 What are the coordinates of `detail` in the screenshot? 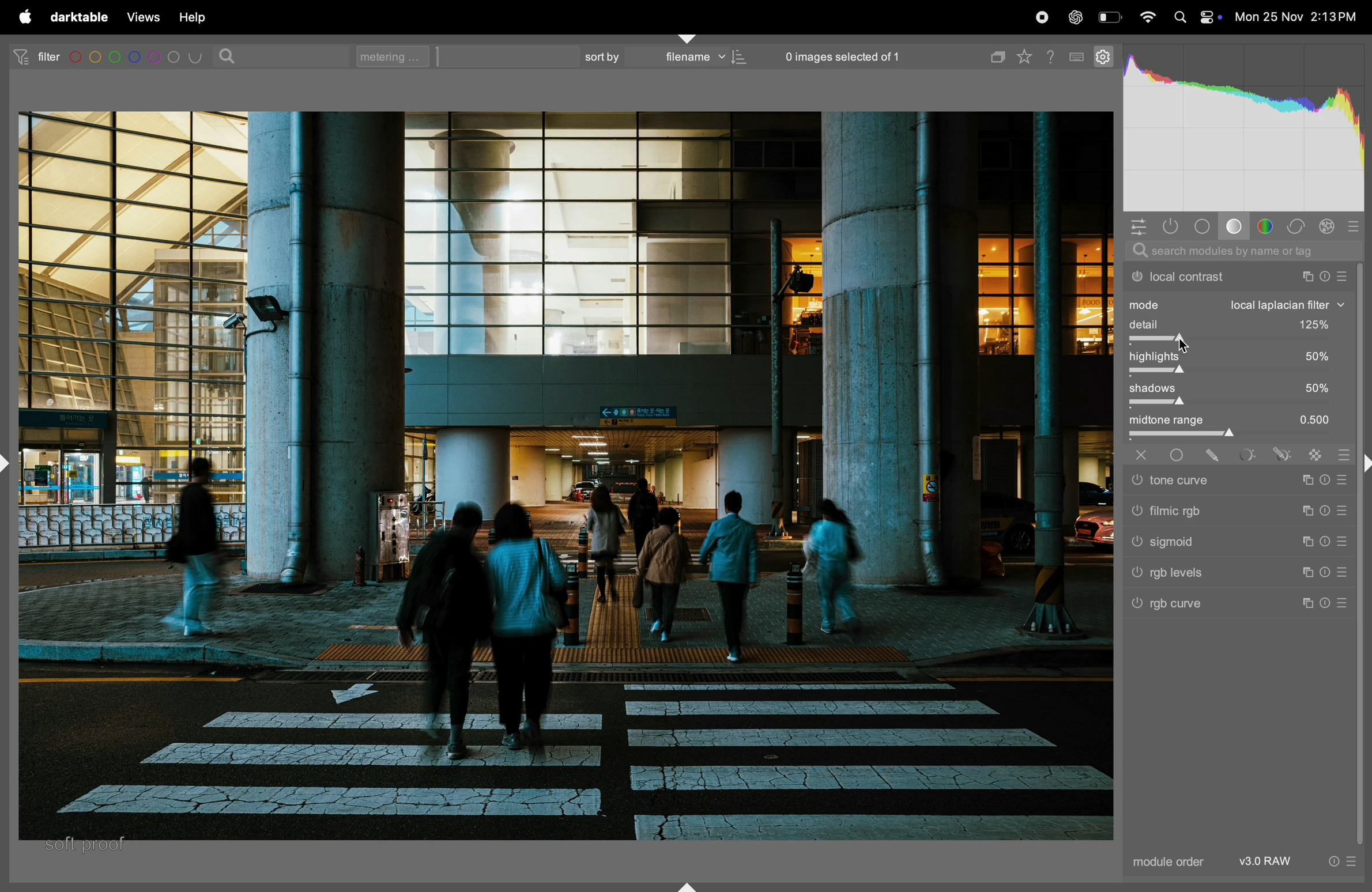 It's located at (1239, 325).